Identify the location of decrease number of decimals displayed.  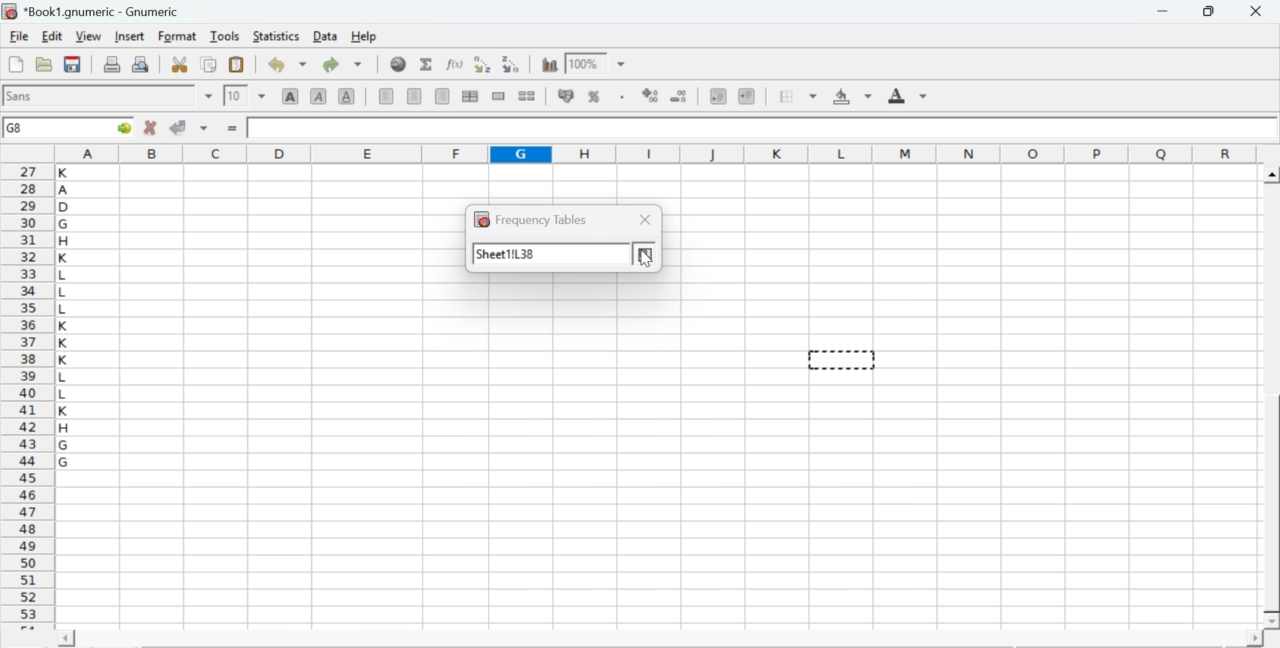
(650, 96).